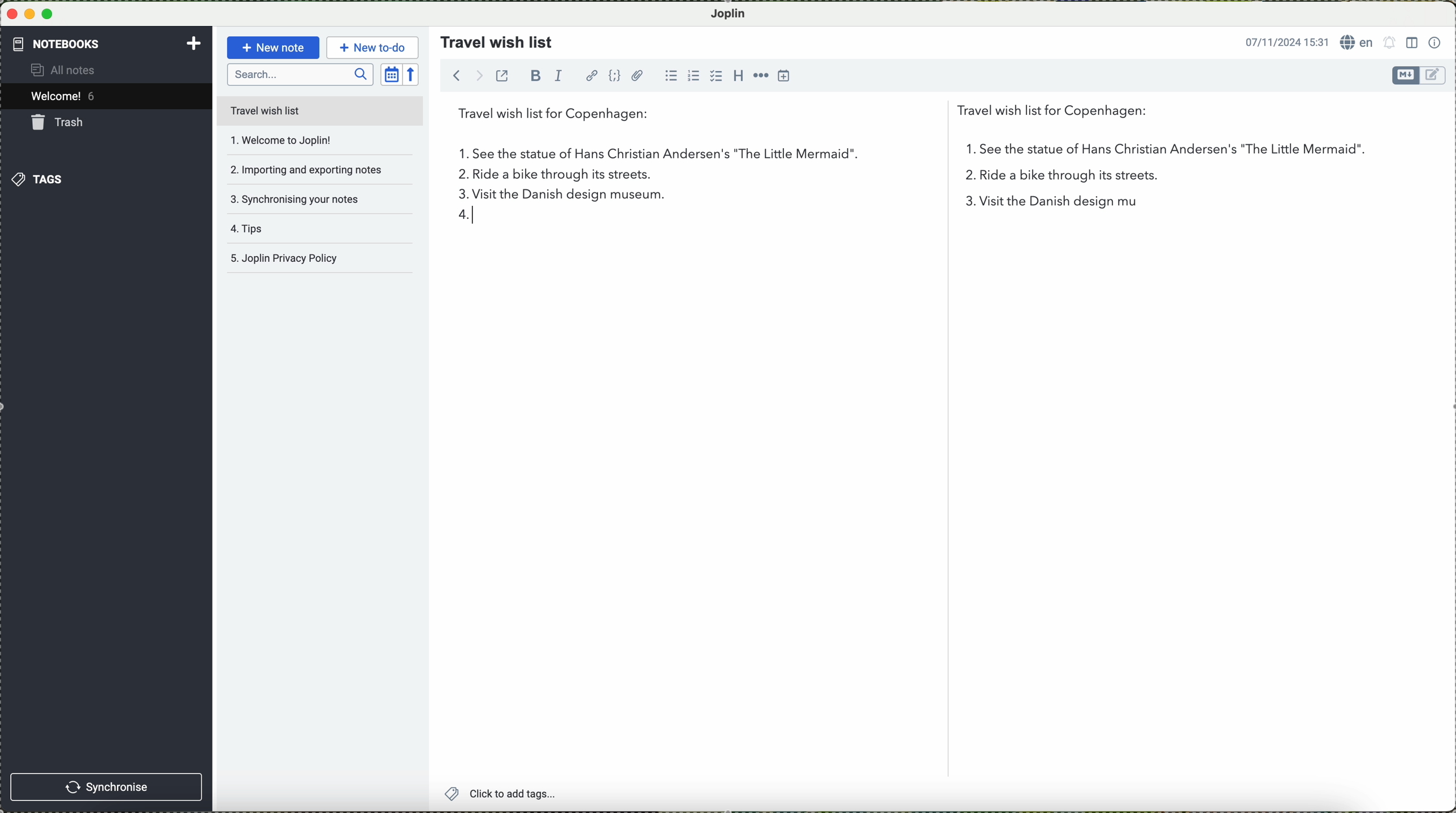 The width and height of the screenshot is (1456, 813). Describe the element at coordinates (1411, 43) in the screenshot. I see `toggle editor layout` at that location.